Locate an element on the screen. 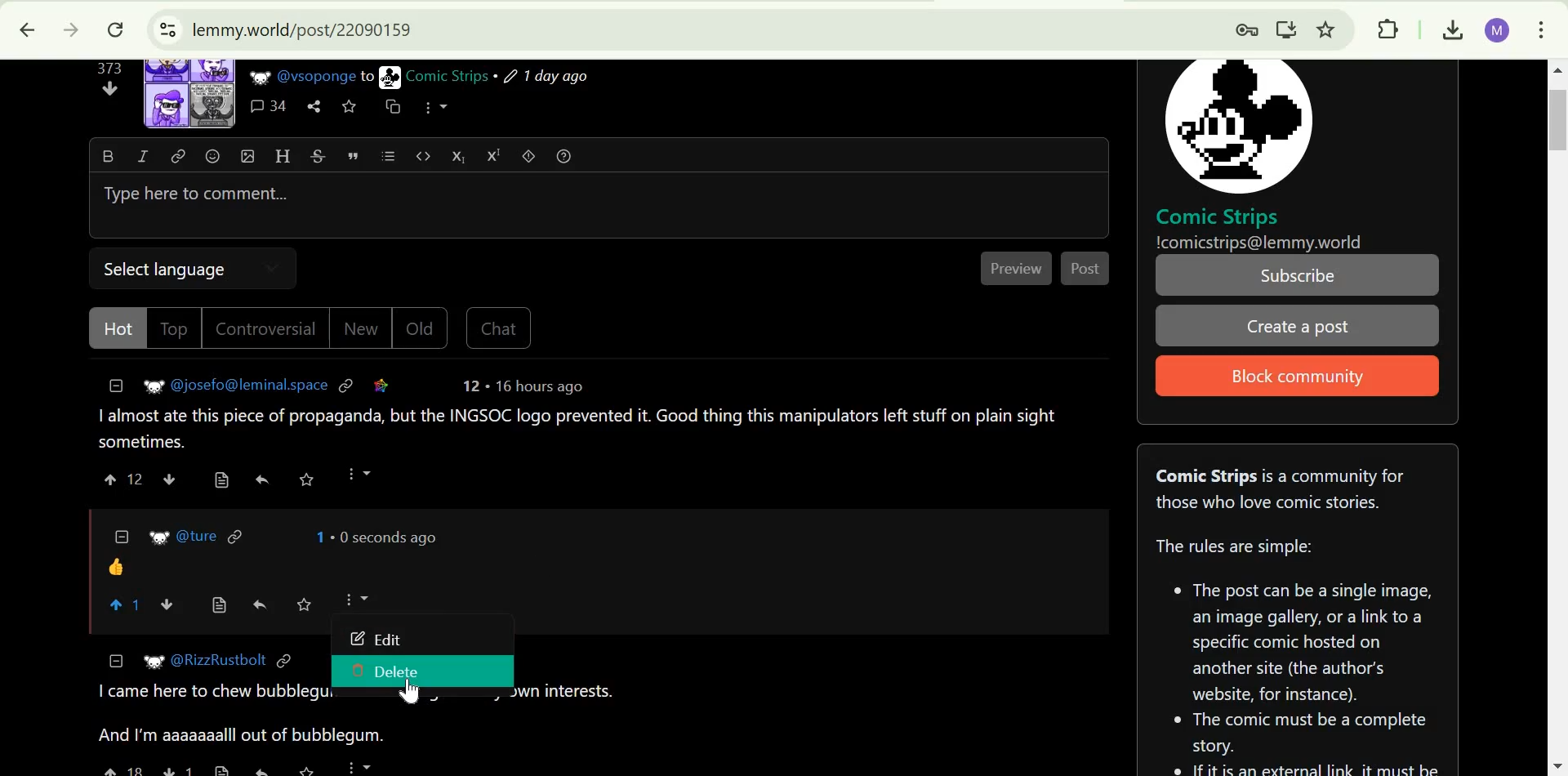 This screenshot has height=776, width=1568. list is located at coordinates (388, 156).